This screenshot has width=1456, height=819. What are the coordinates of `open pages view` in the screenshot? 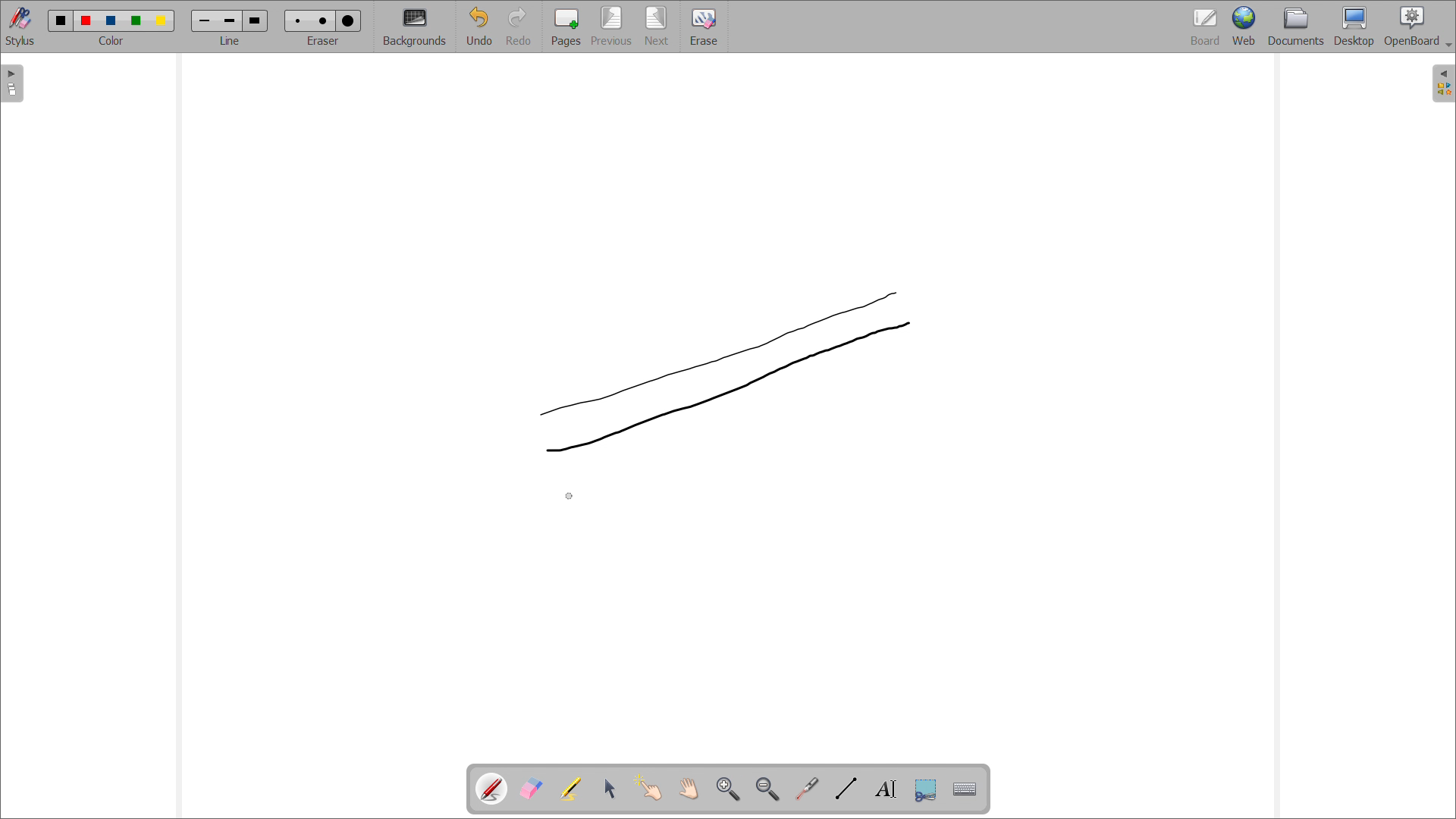 It's located at (13, 83).